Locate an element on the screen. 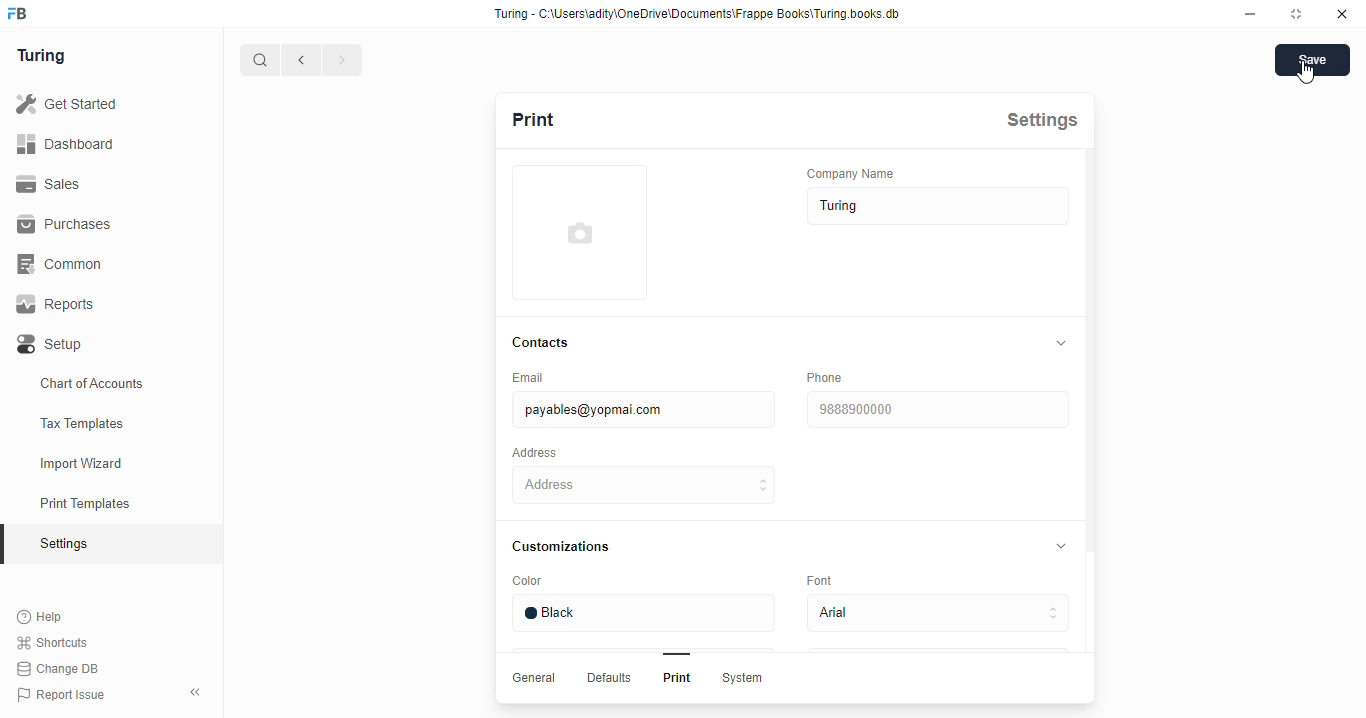  collapse is located at coordinates (1061, 551).